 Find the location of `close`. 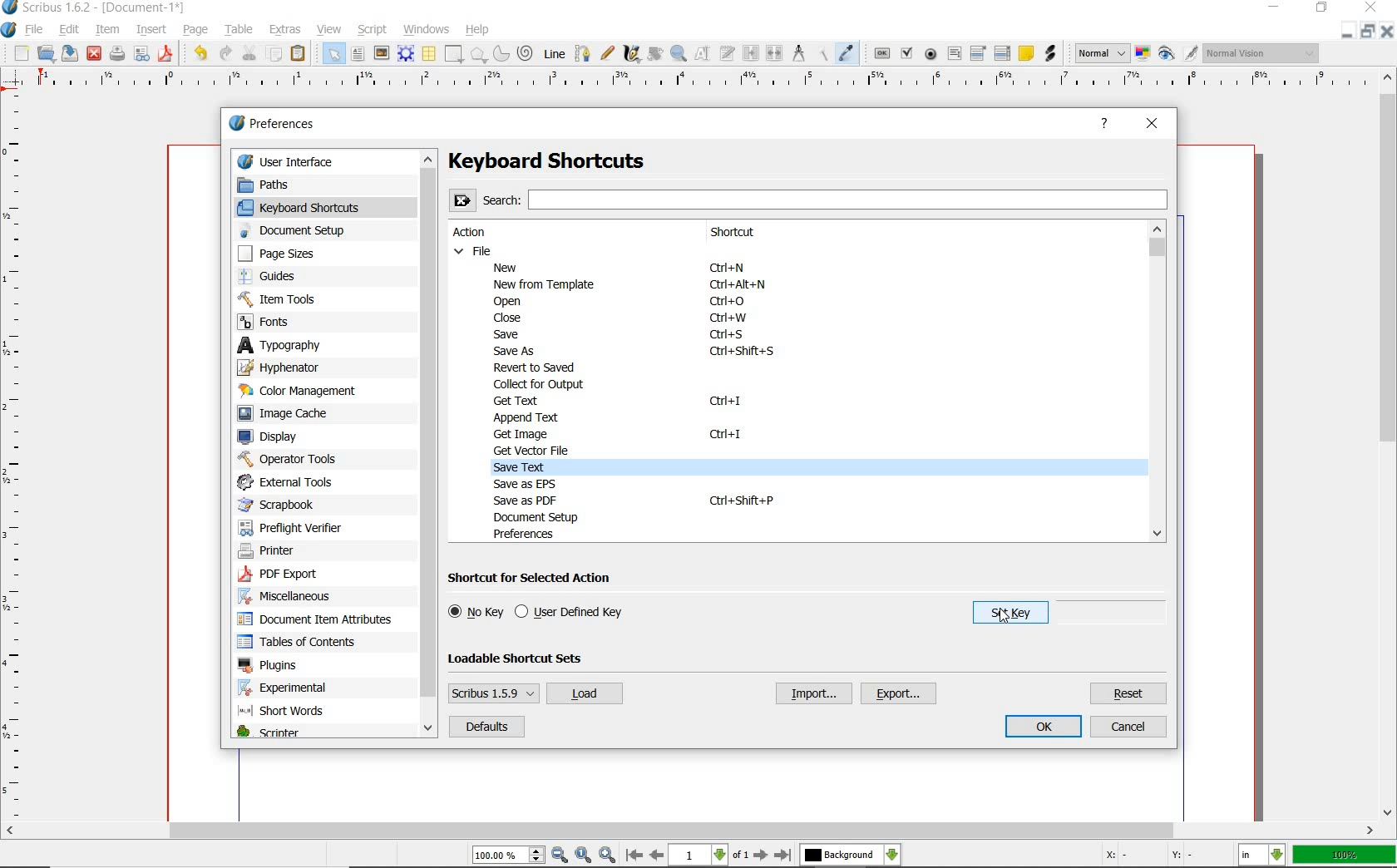

close is located at coordinates (504, 318).